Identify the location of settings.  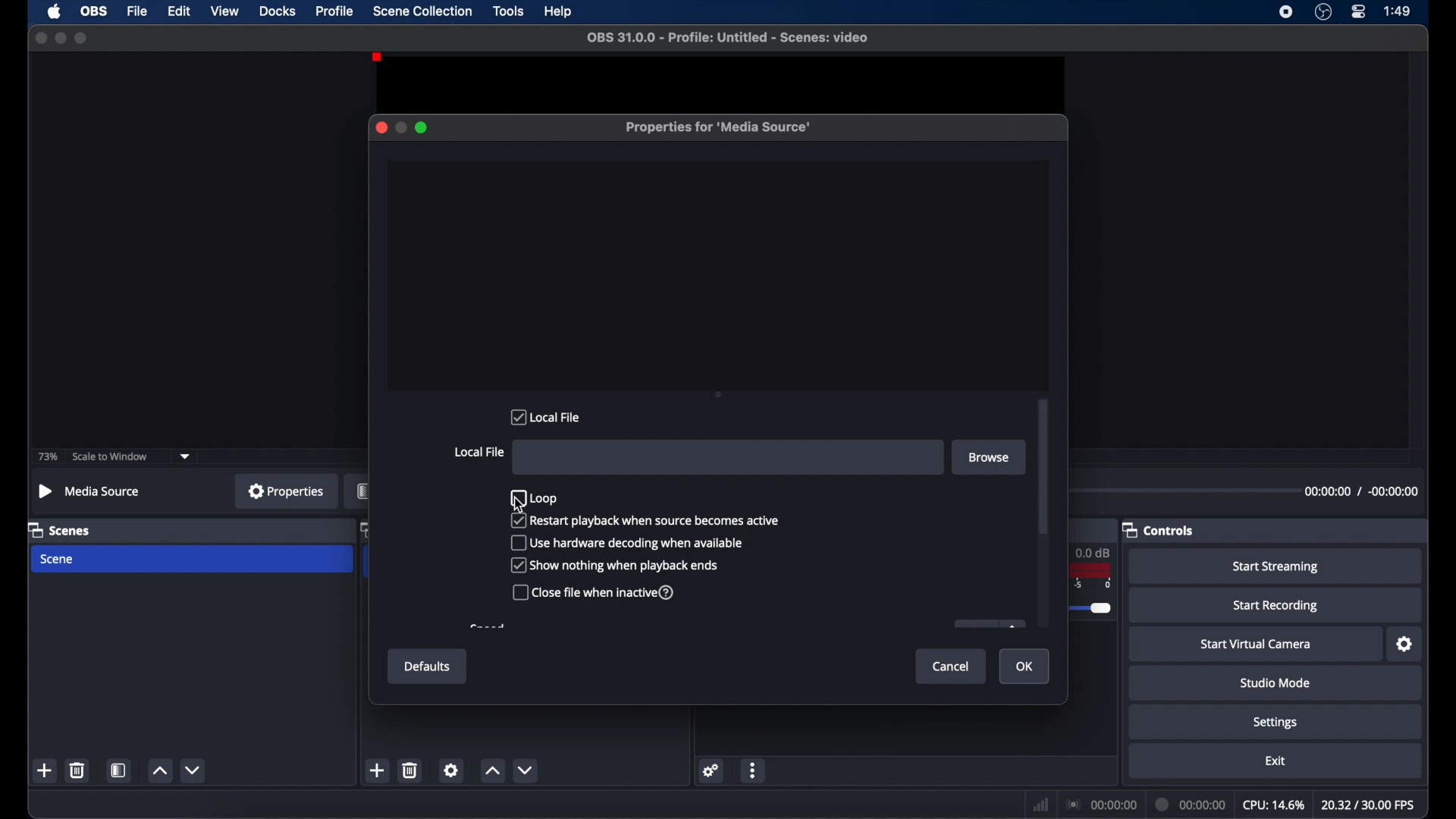
(711, 770).